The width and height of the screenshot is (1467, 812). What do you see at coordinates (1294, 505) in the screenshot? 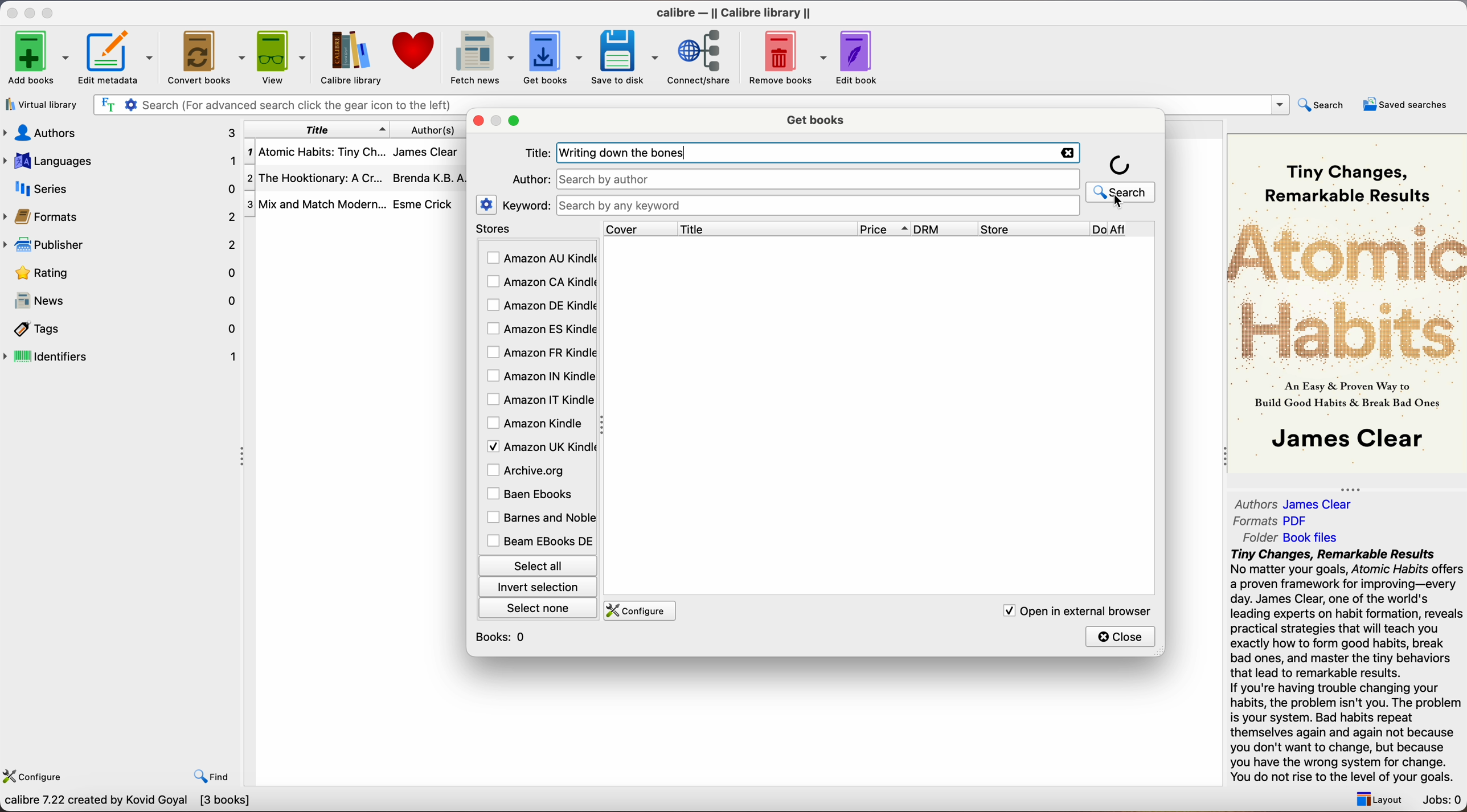
I see `Authors James Clear` at bounding box center [1294, 505].